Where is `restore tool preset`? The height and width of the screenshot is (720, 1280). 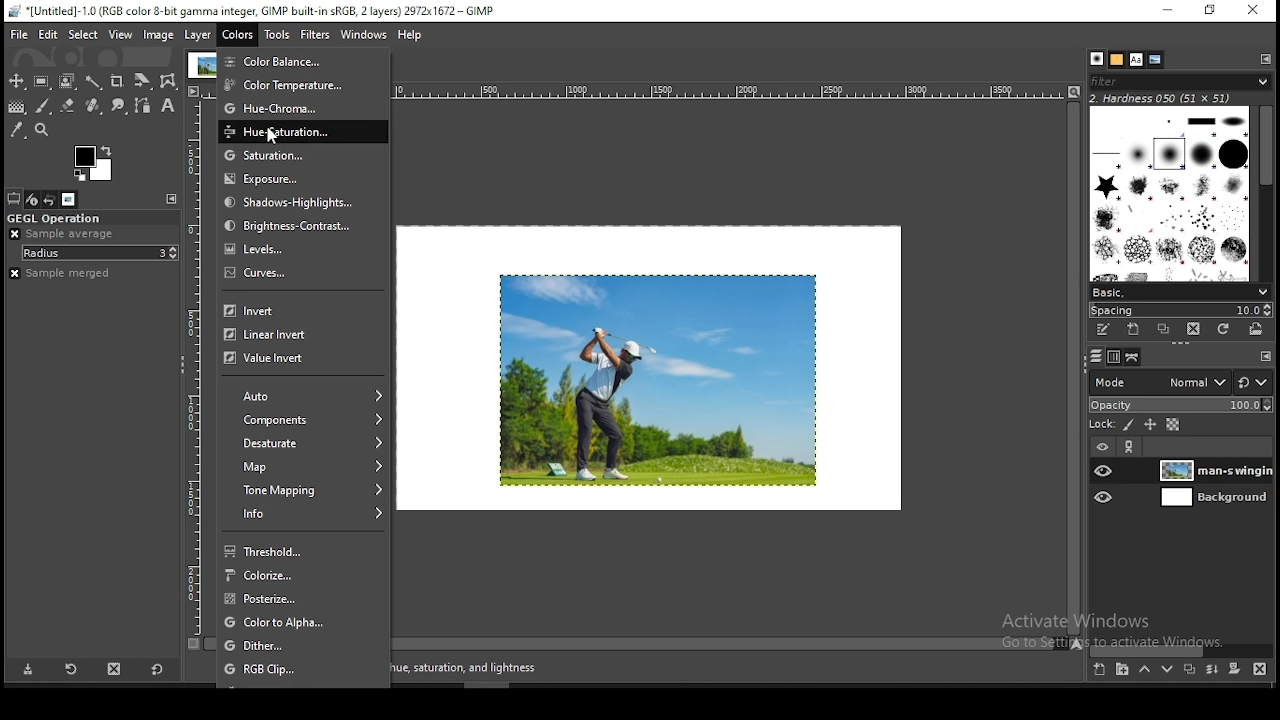
restore tool preset is located at coordinates (72, 670).